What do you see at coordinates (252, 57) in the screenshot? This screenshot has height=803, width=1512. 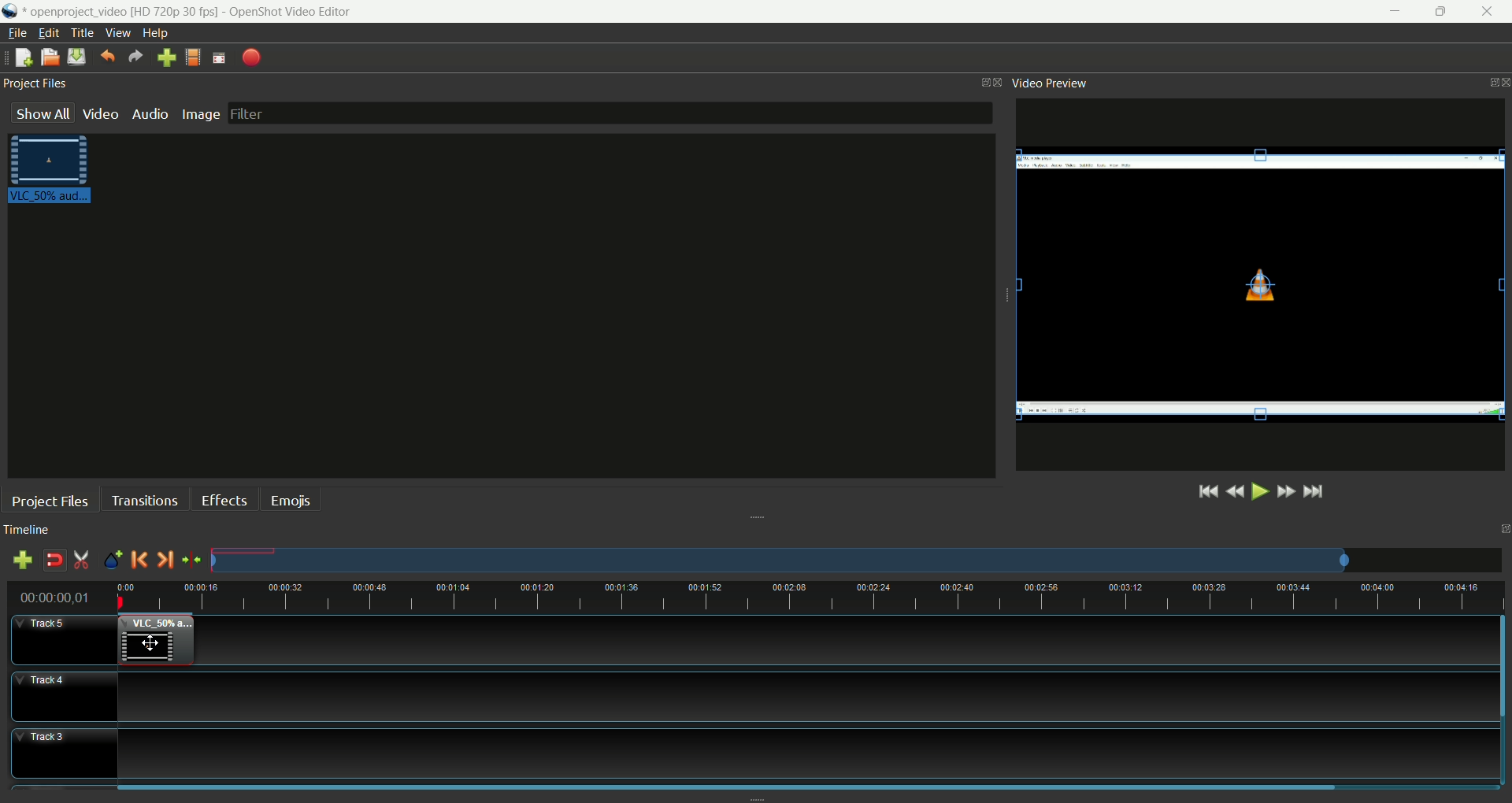 I see `export video` at bounding box center [252, 57].